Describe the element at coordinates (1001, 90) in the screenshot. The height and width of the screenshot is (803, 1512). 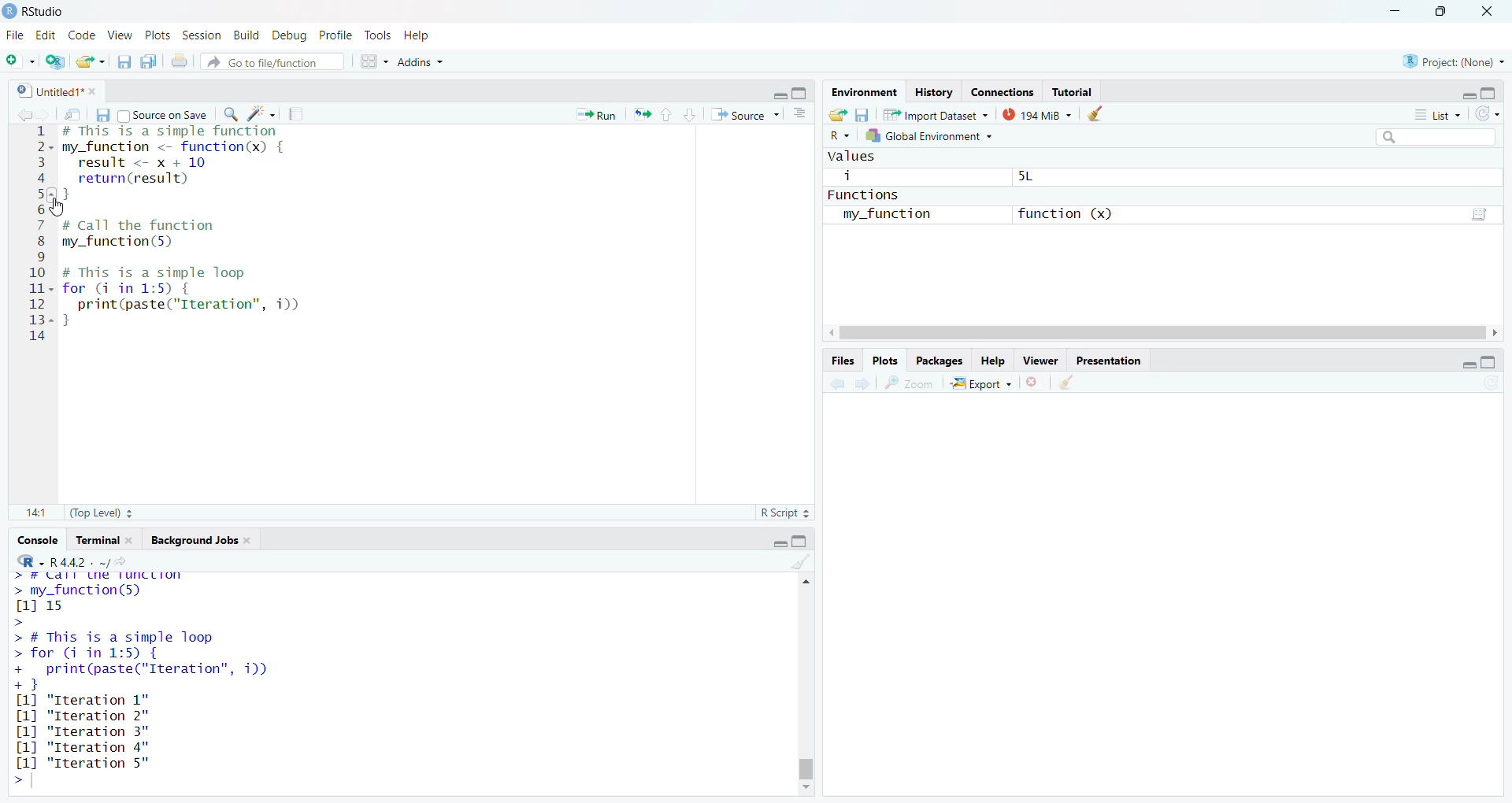
I see `connections` at that location.